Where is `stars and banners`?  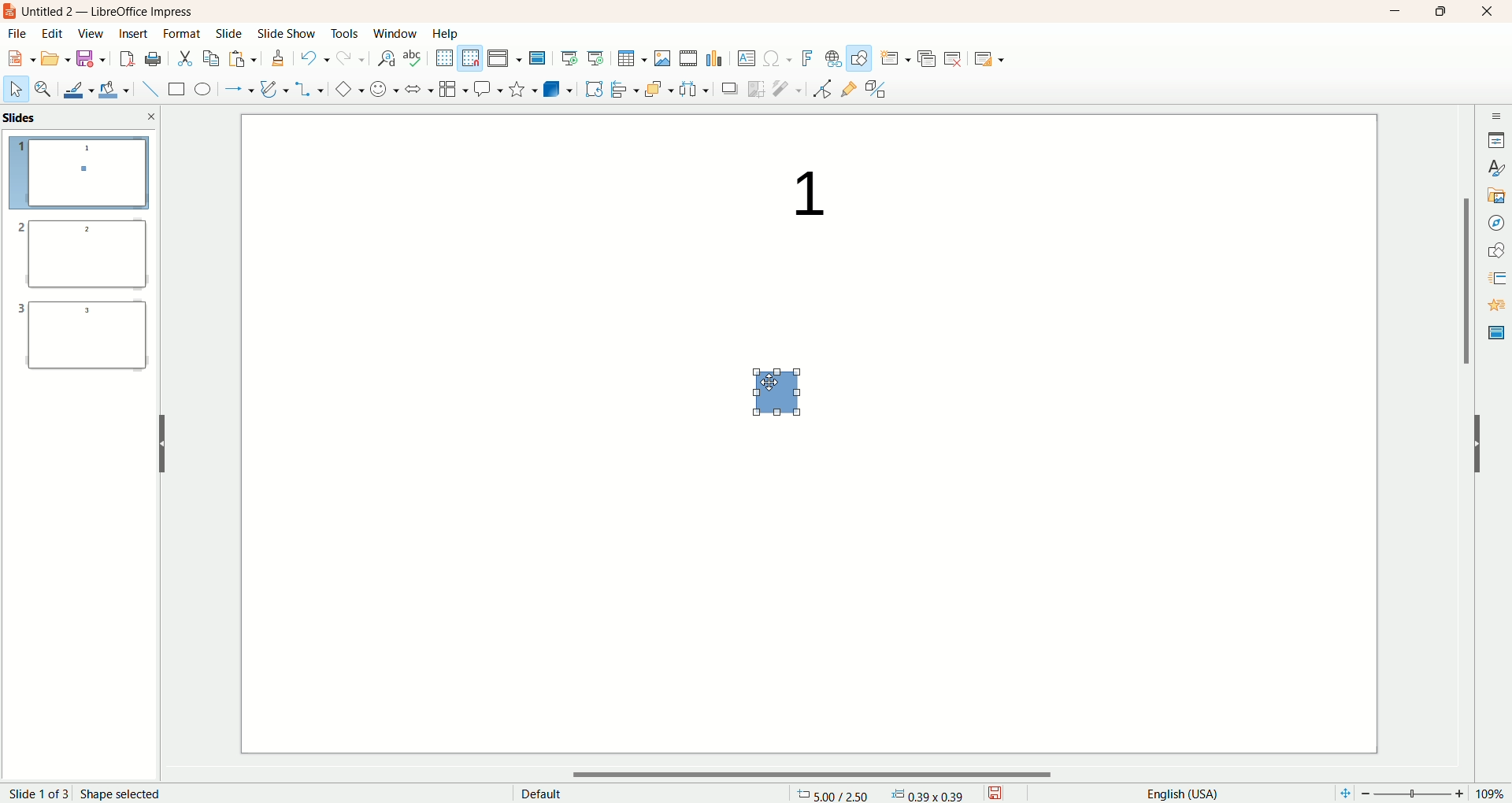
stars and banners is located at coordinates (521, 88).